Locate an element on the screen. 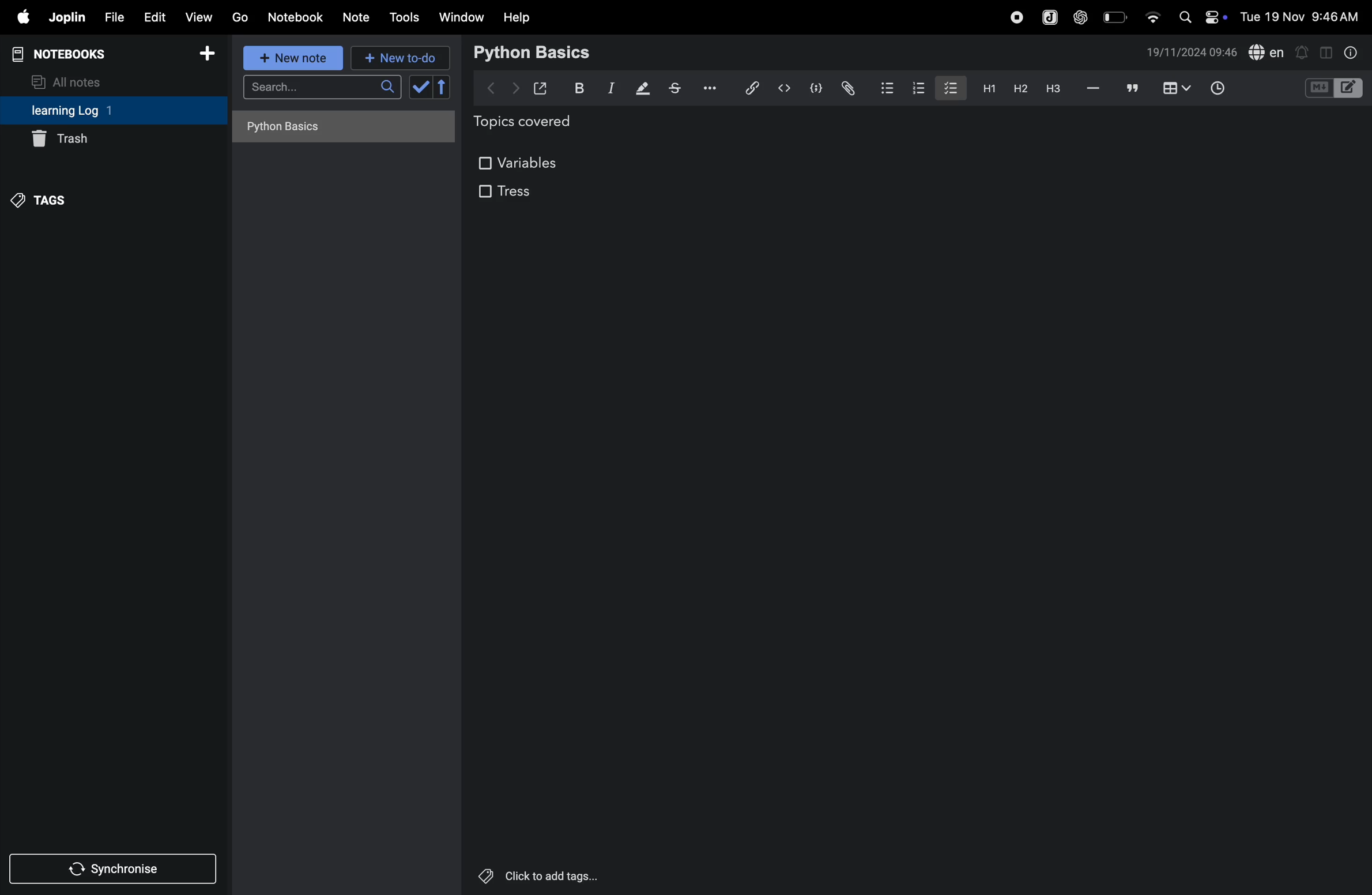 Image resolution: width=1372 pixels, height=895 pixels. search is located at coordinates (322, 91).